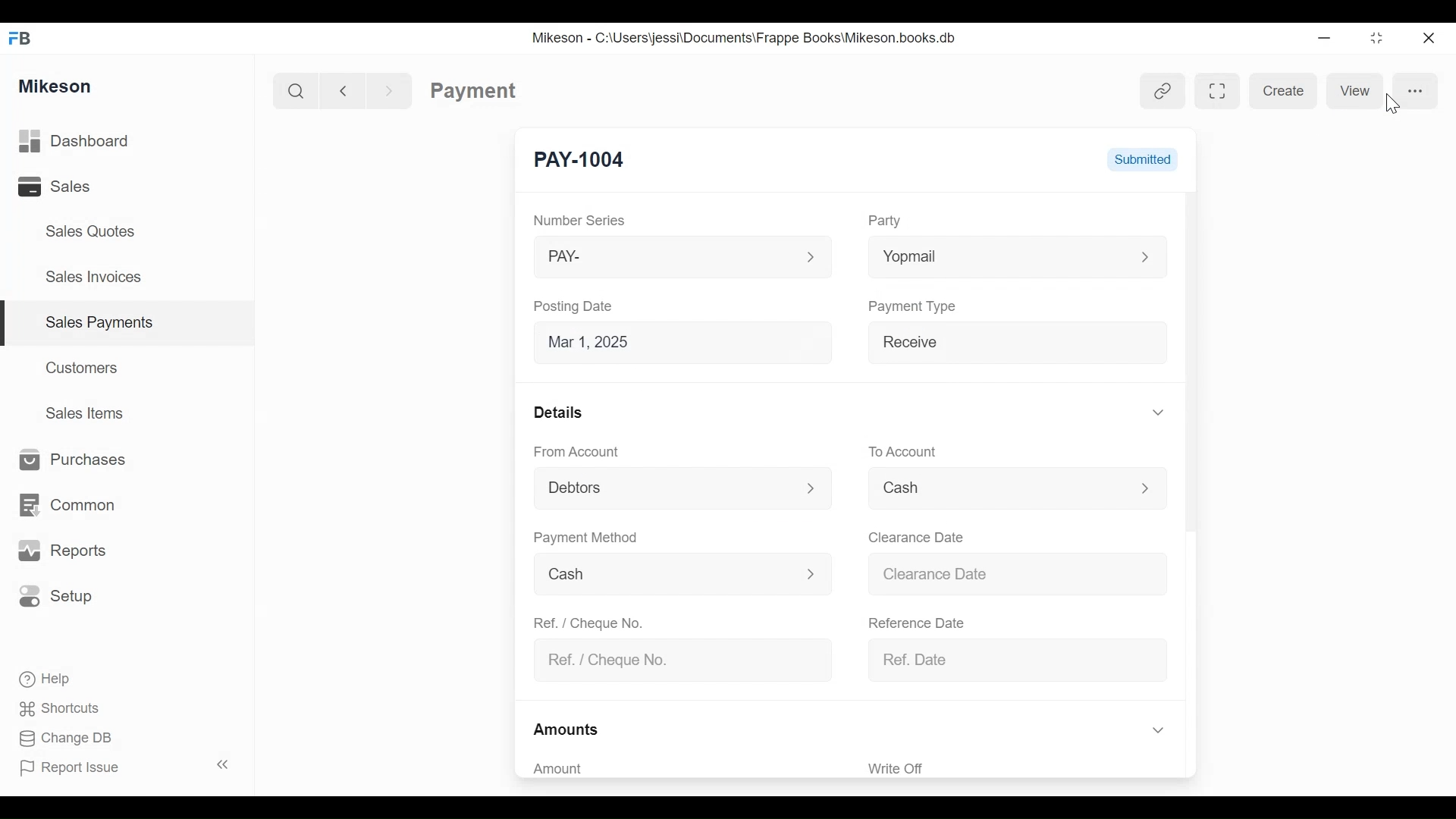 This screenshot has width=1456, height=819. I want to click on Amount, so click(566, 769).